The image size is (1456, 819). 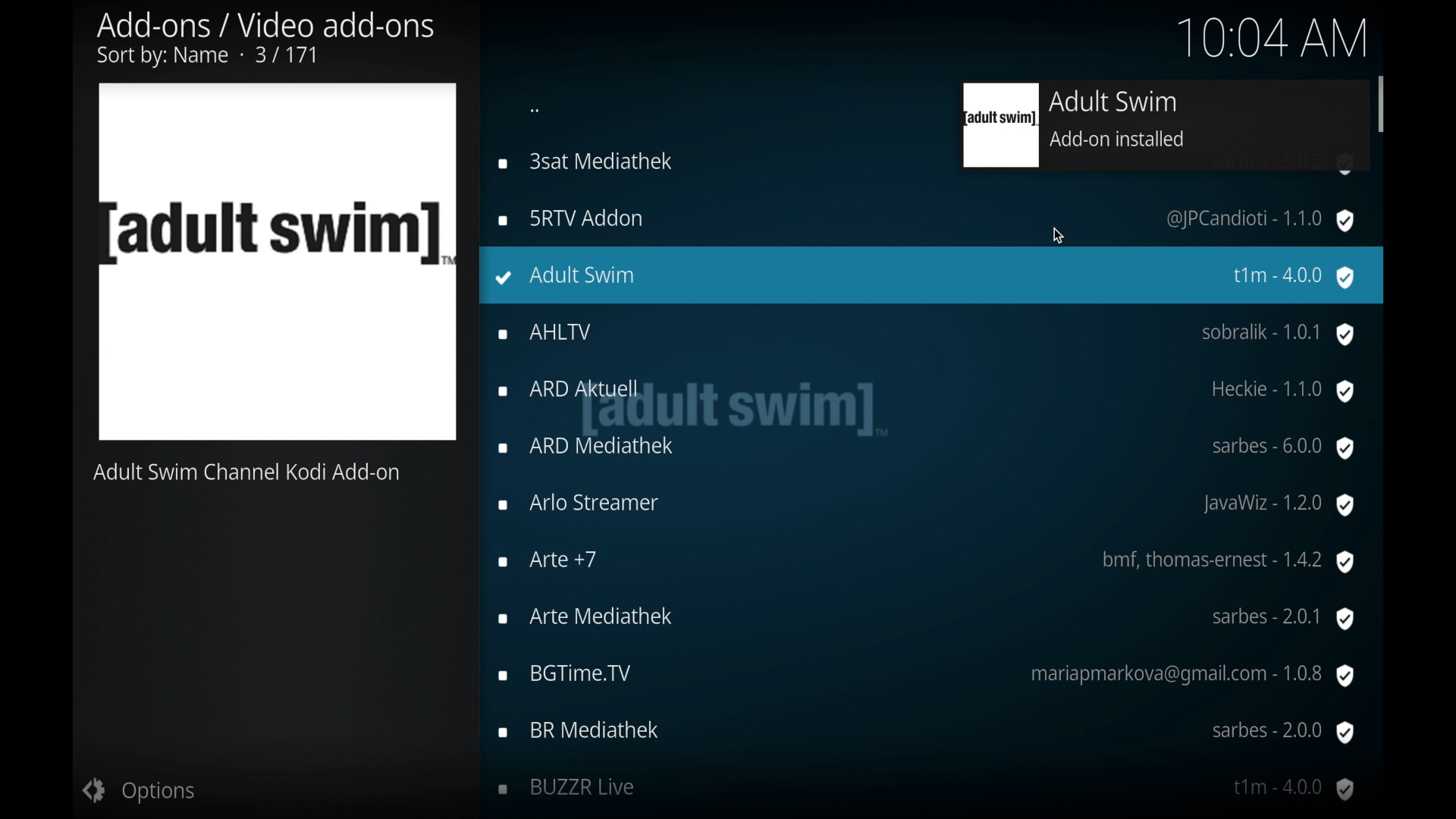 What do you see at coordinates (924, 219) in the screenshot?
I see `5rtv` at bounding box center [924, 219].